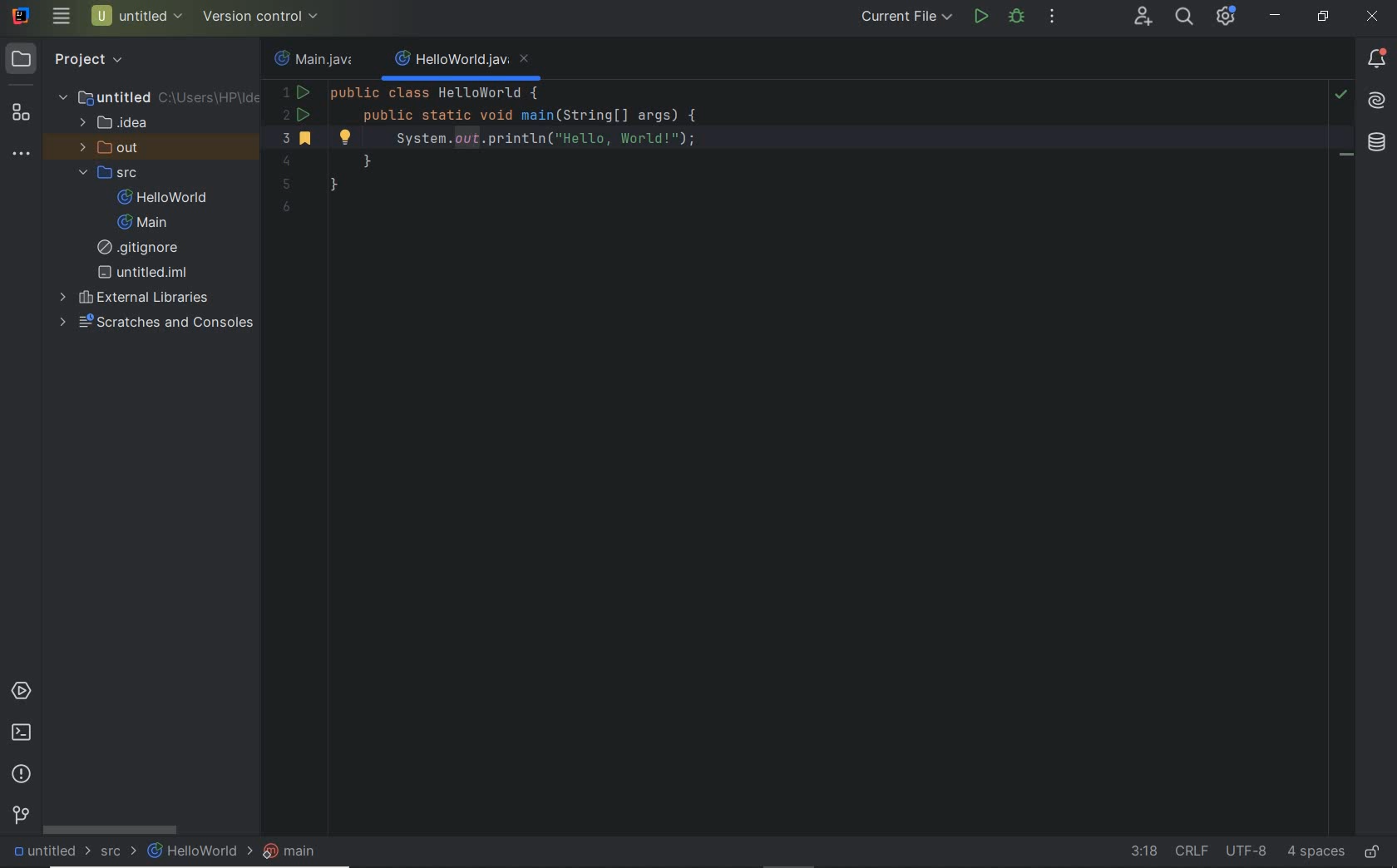 The image size is (1397, 868). I want to click on .idea, so click(115, 123).